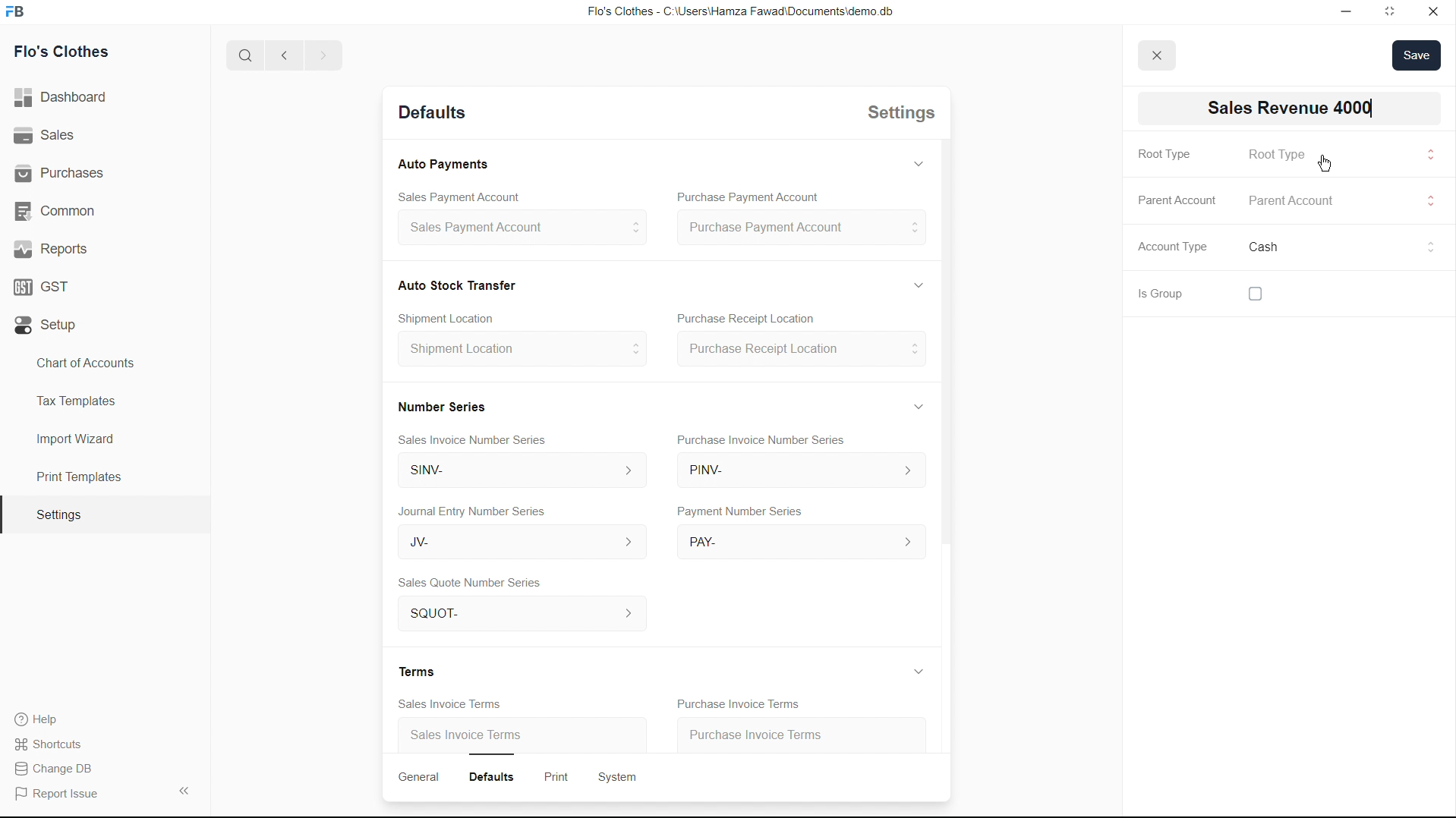 The image size is (1456, 818). What do you see at coordinates (279, 56) in the screenshot?
I see `Back` at bounding box center [279, 56].